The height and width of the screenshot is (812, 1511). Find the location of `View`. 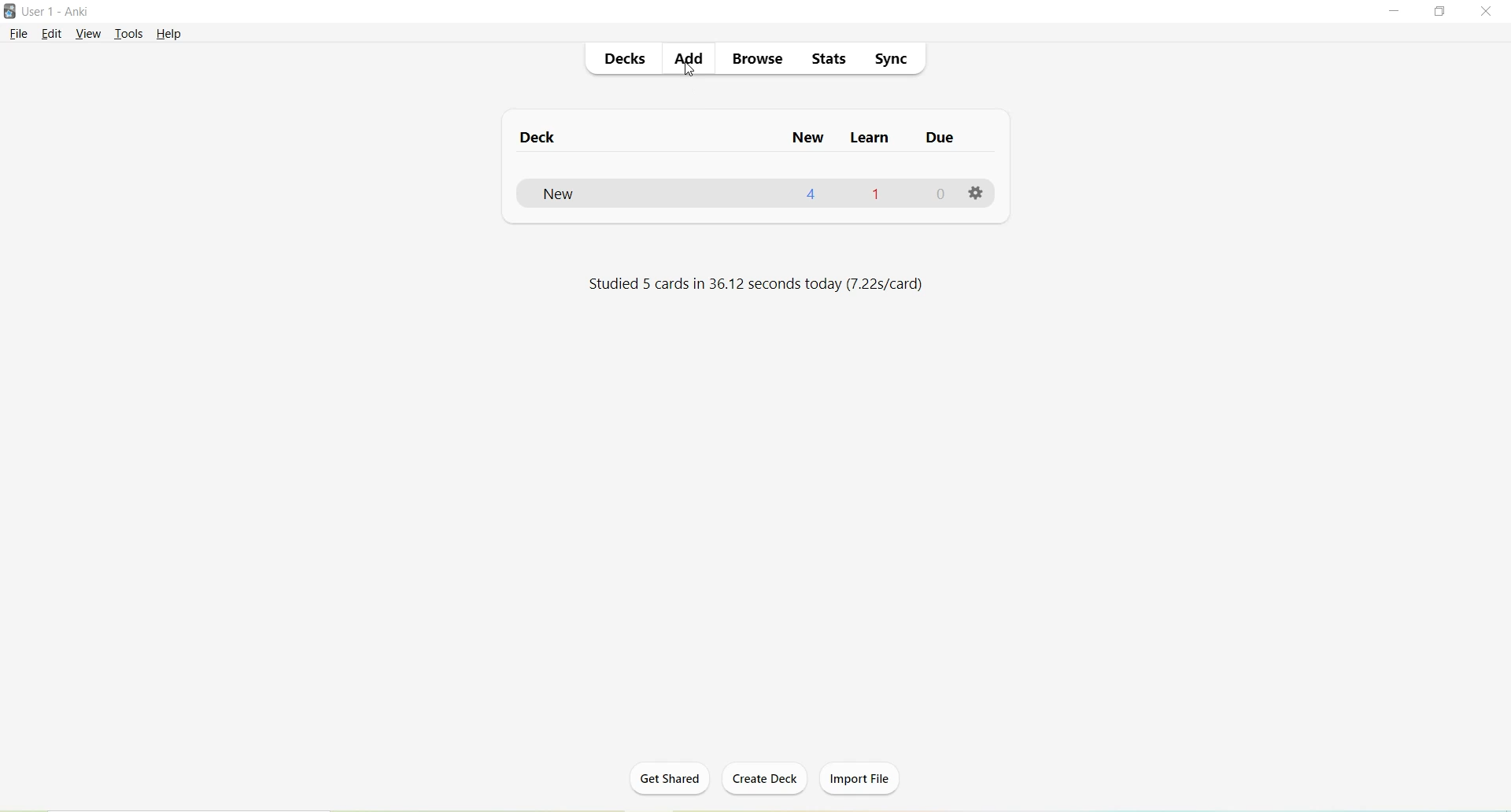

View is located at coordinates (89, 35).